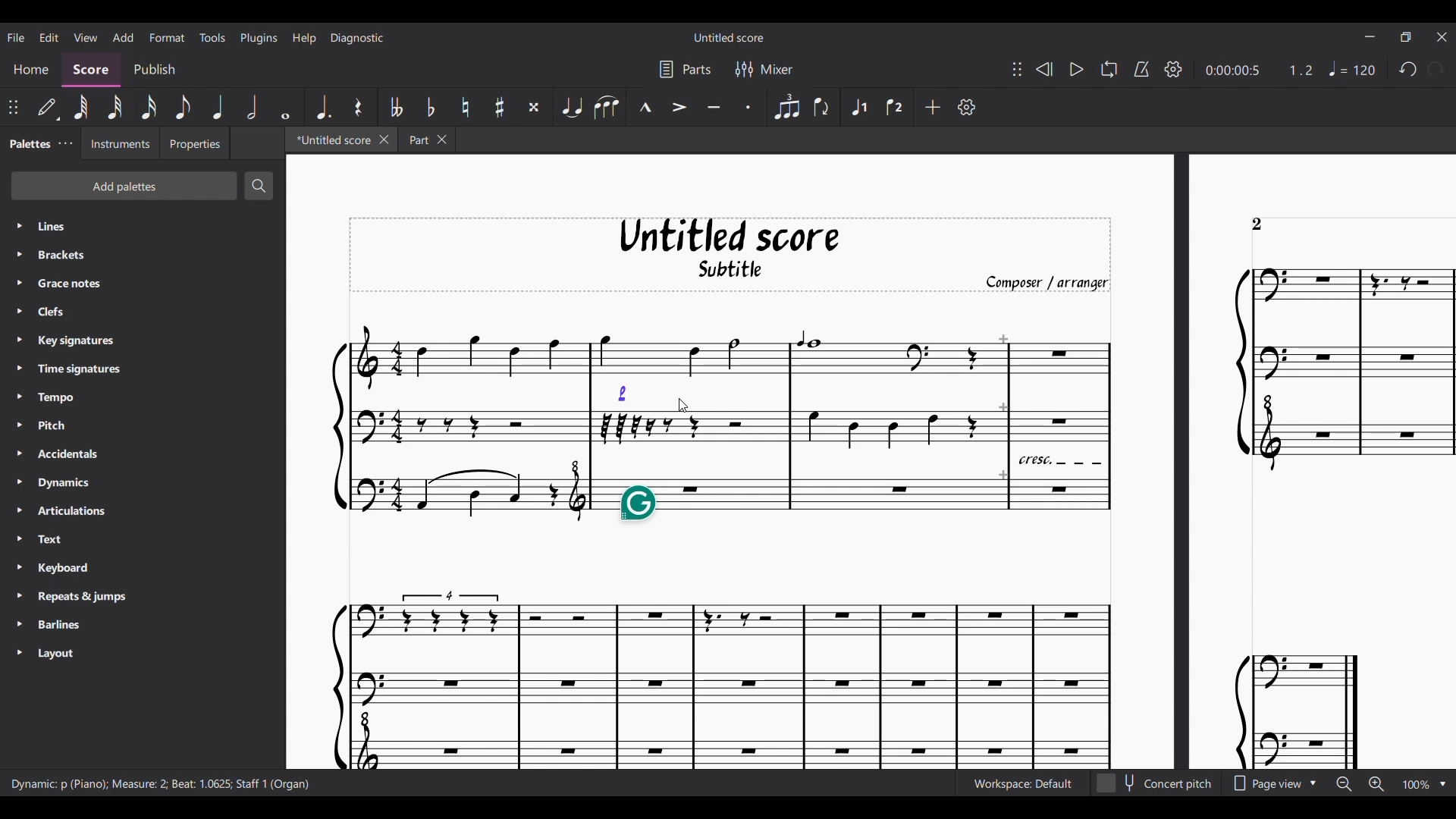 The image size is (1456, 819). I want to click on Earlier tab, so click(426, 139).